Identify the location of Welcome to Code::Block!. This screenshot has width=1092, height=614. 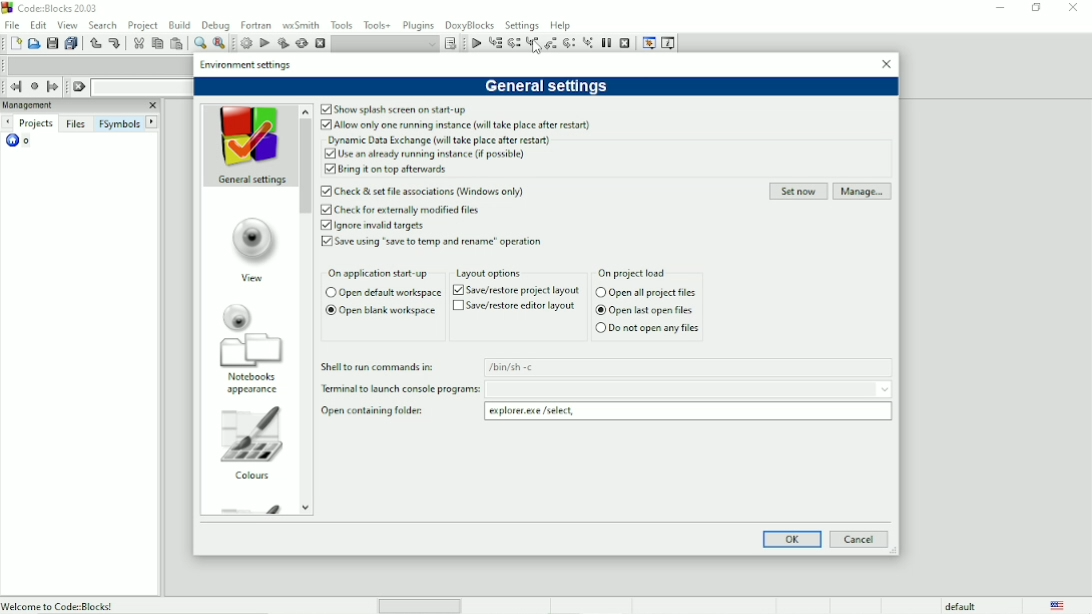
(58, 606).